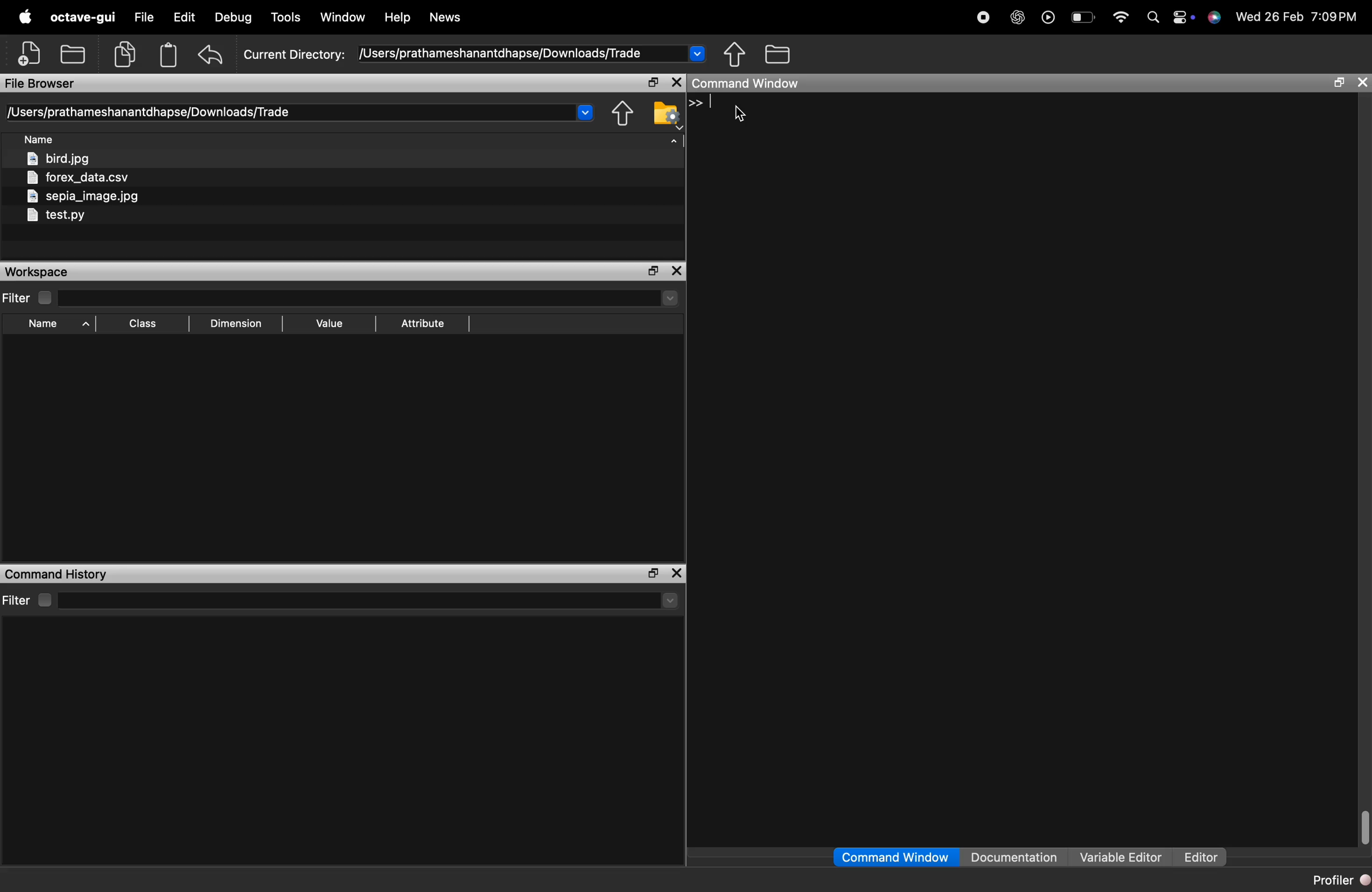 The image size is (1372, 892). I want to click on sort by name, so click(43, 140).